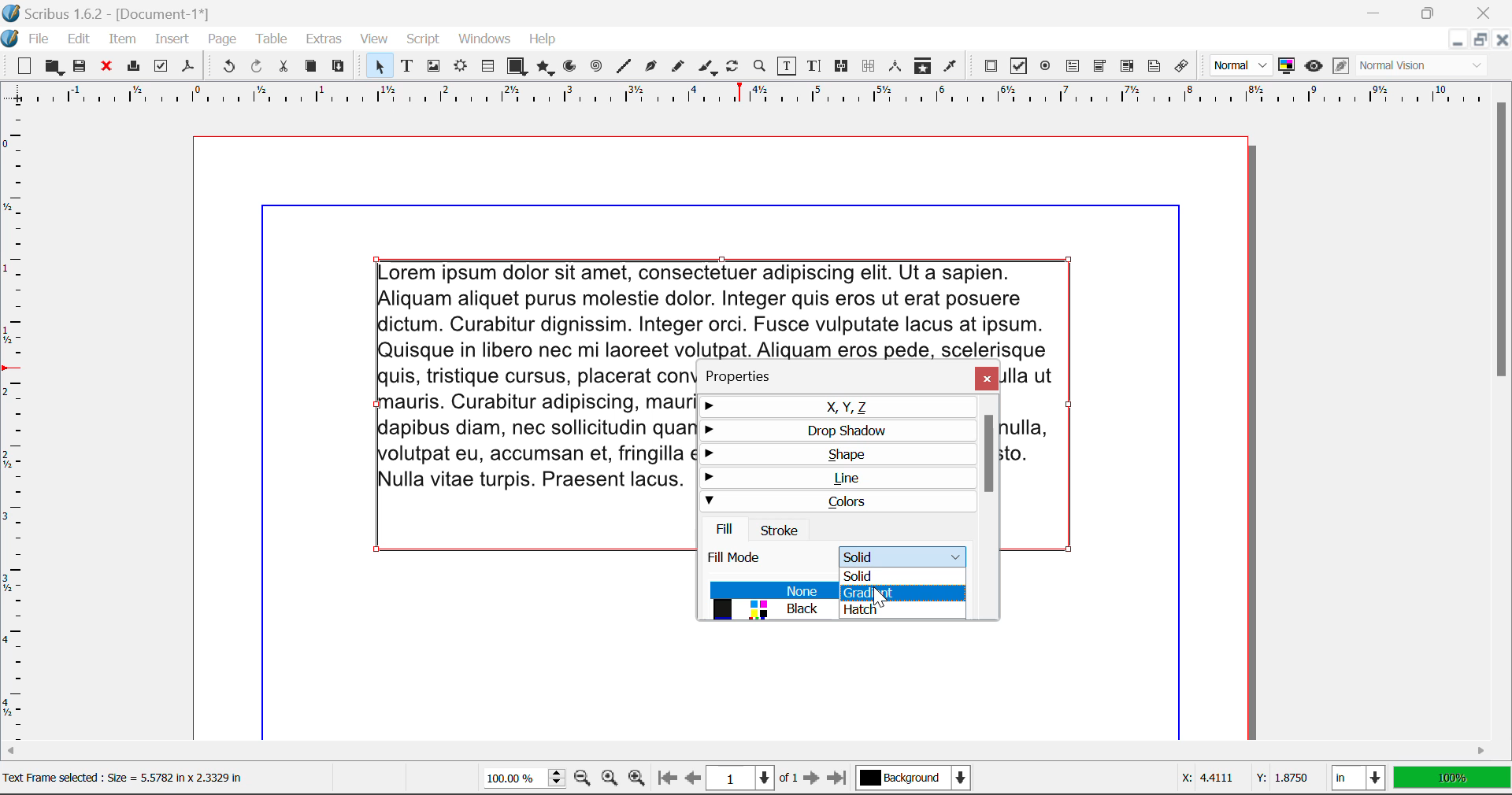  What do you see at coordinates (595, 68) in the screenshot?
I see `Spirals` at bounding box center [595, 68].